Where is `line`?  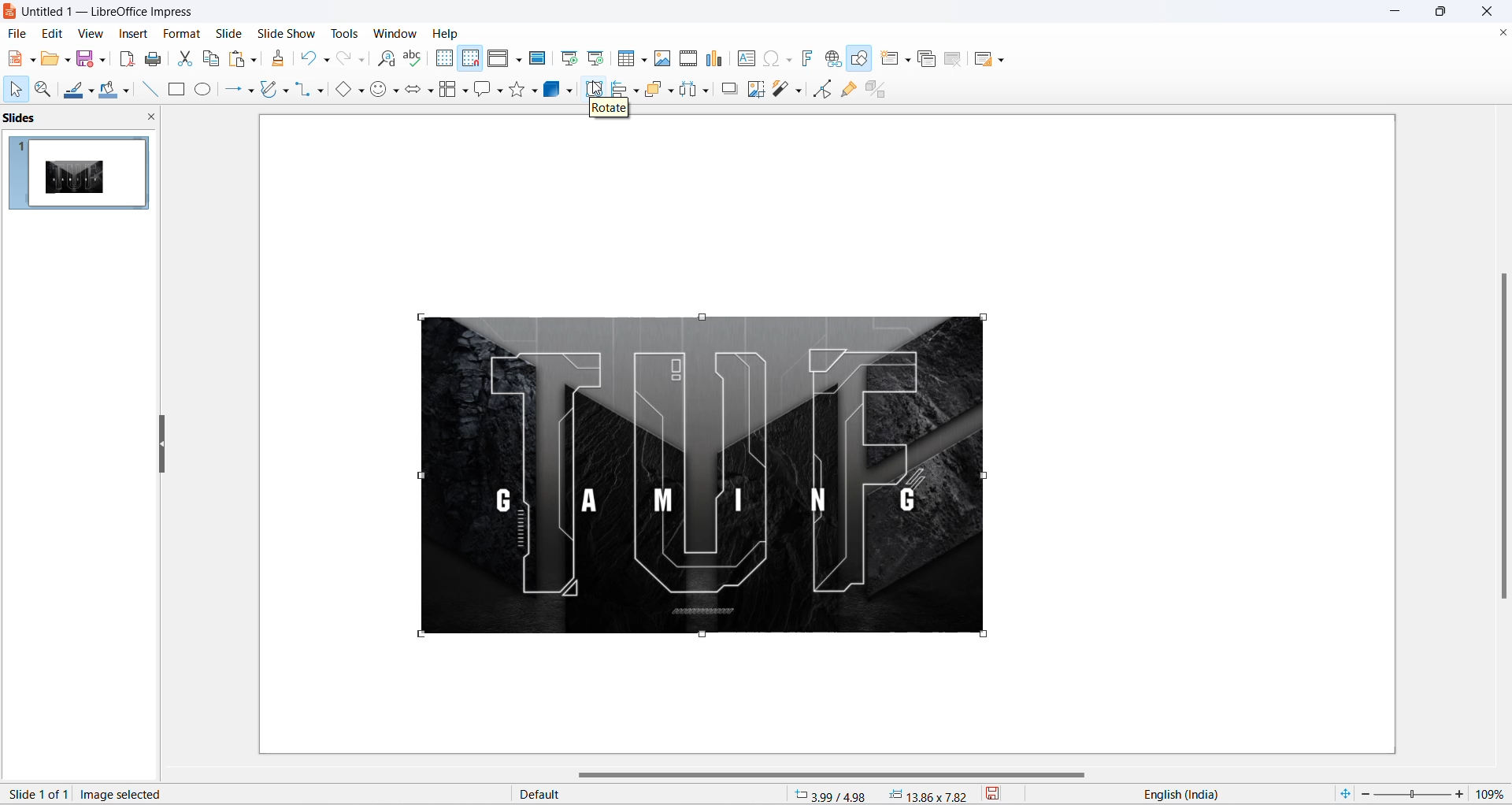 line is located at coordinates (146, 89).